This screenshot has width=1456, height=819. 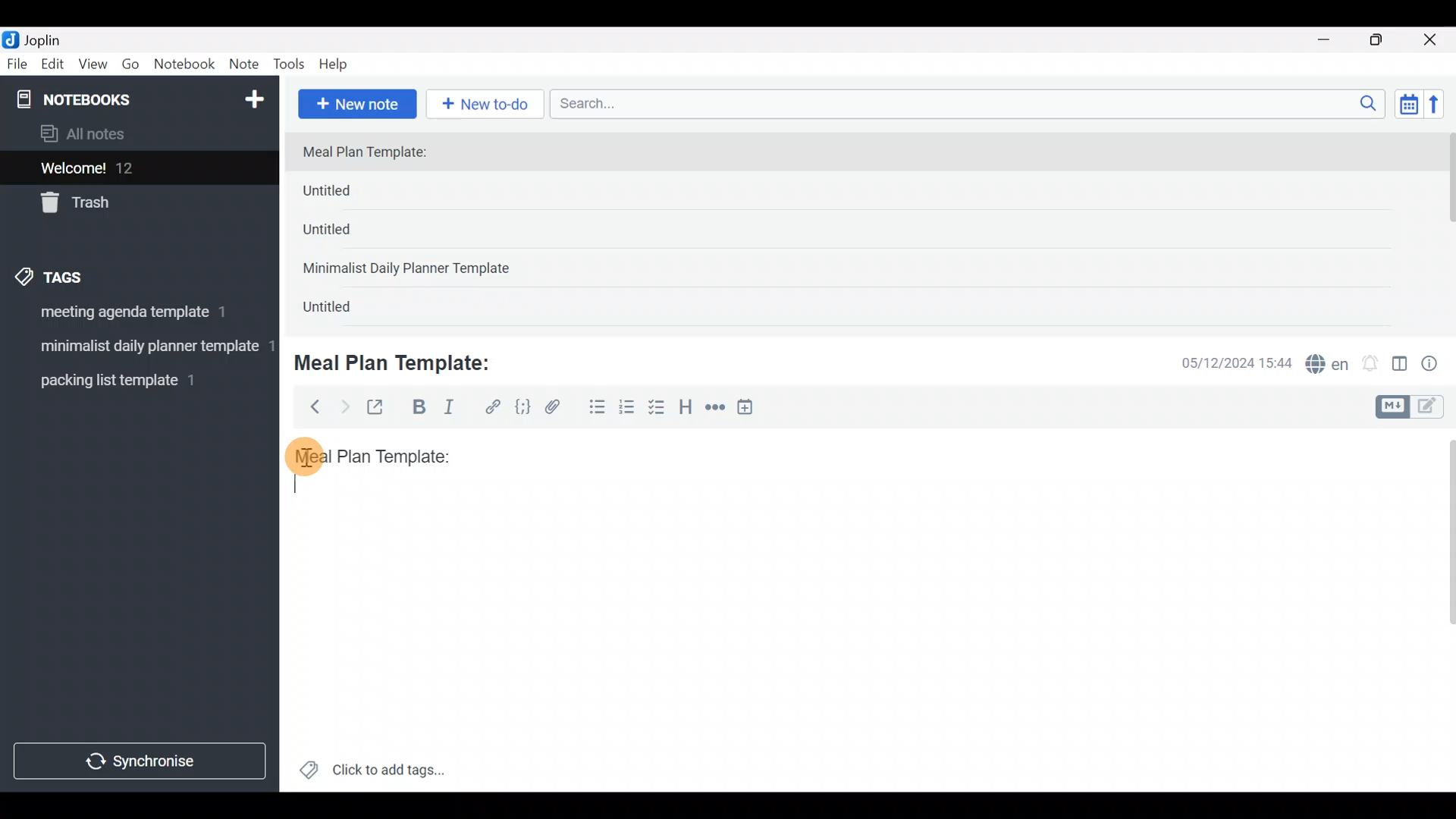 I want to click on Edit, so click(x=53, y=67).